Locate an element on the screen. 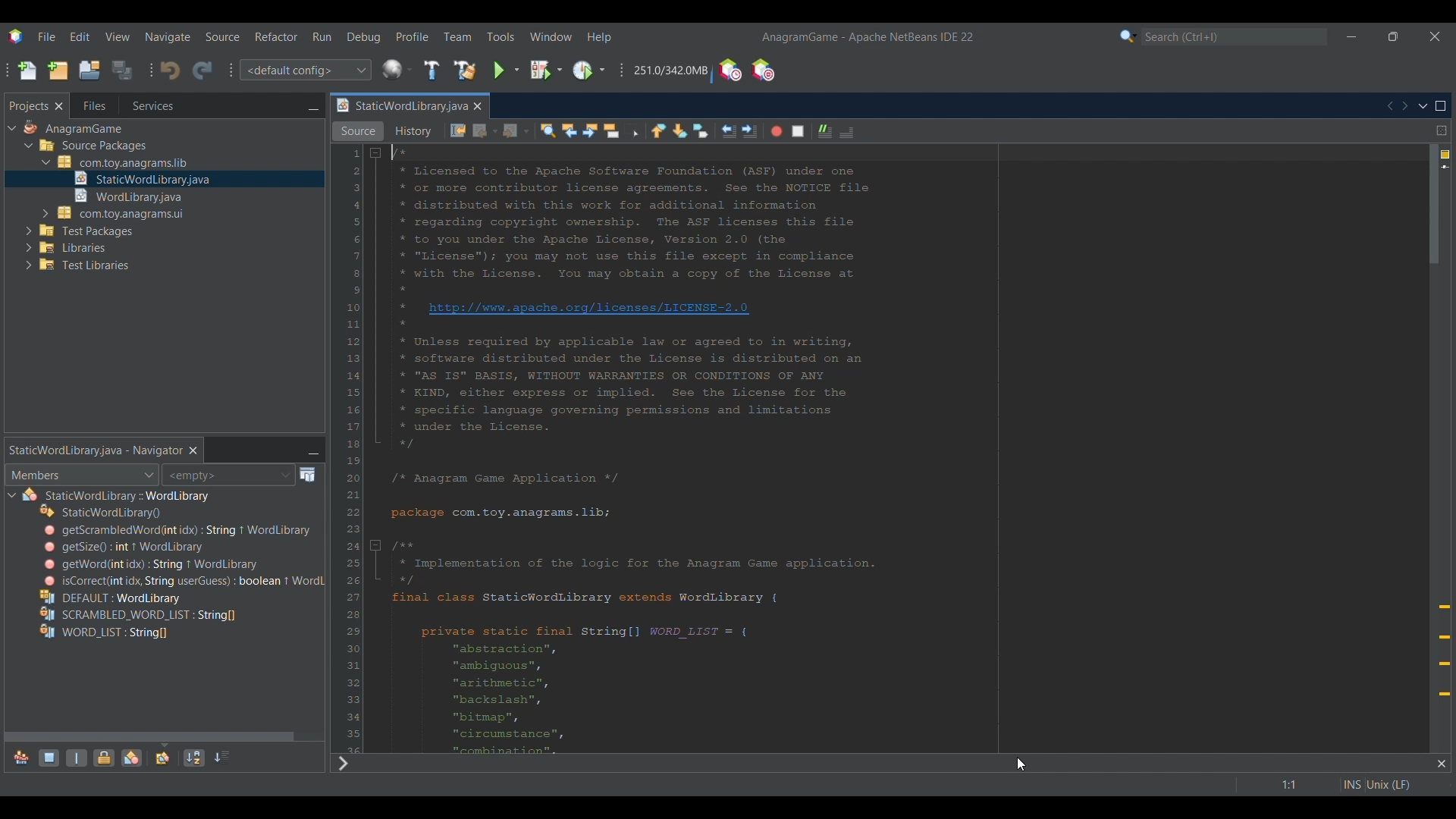 This screenshot has height=819, width=1456. Find next occurrence  is located at coordinates (589, 130).